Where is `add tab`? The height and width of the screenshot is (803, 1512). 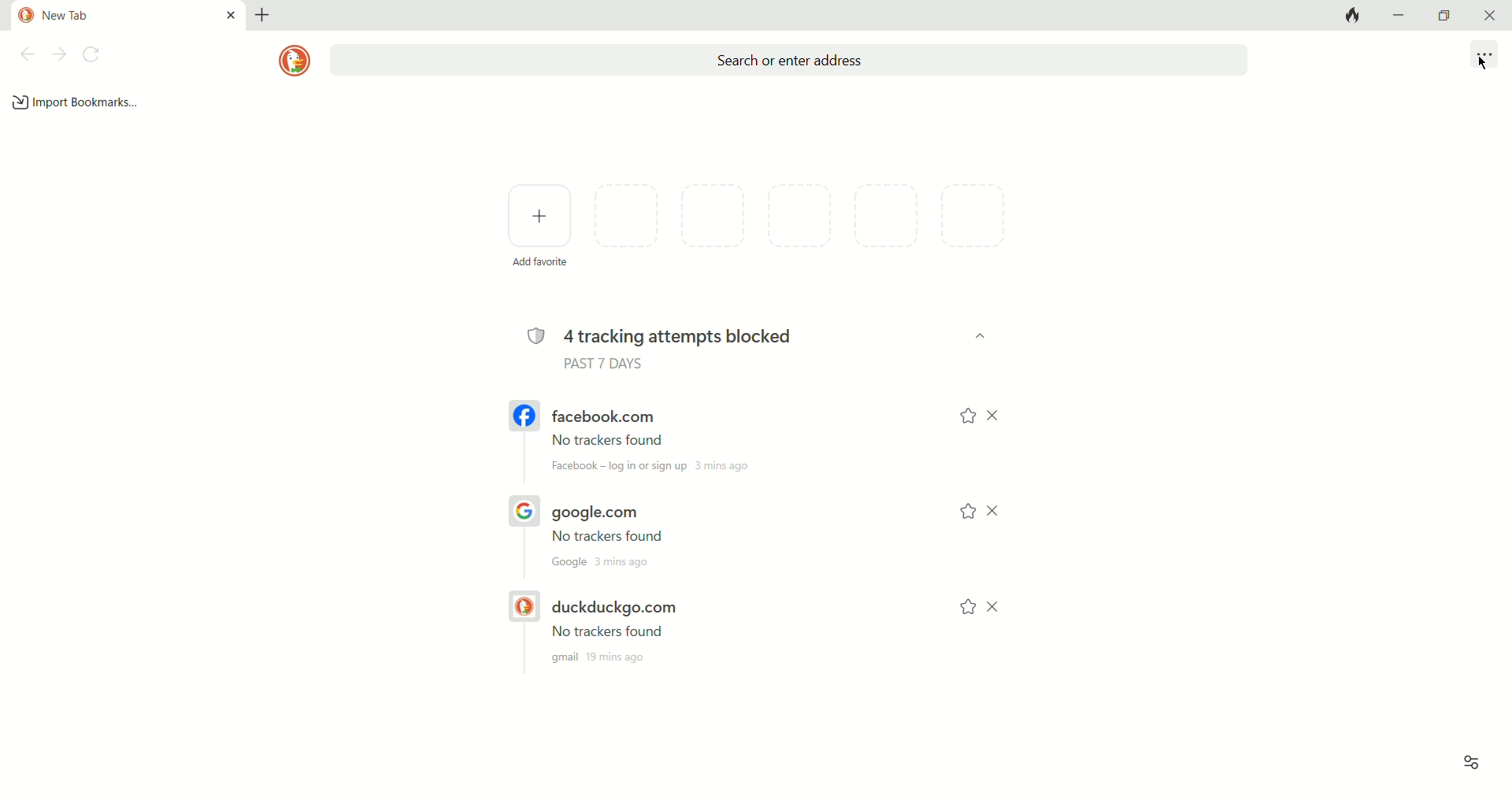 add tab is located at coordinates (266, 14).